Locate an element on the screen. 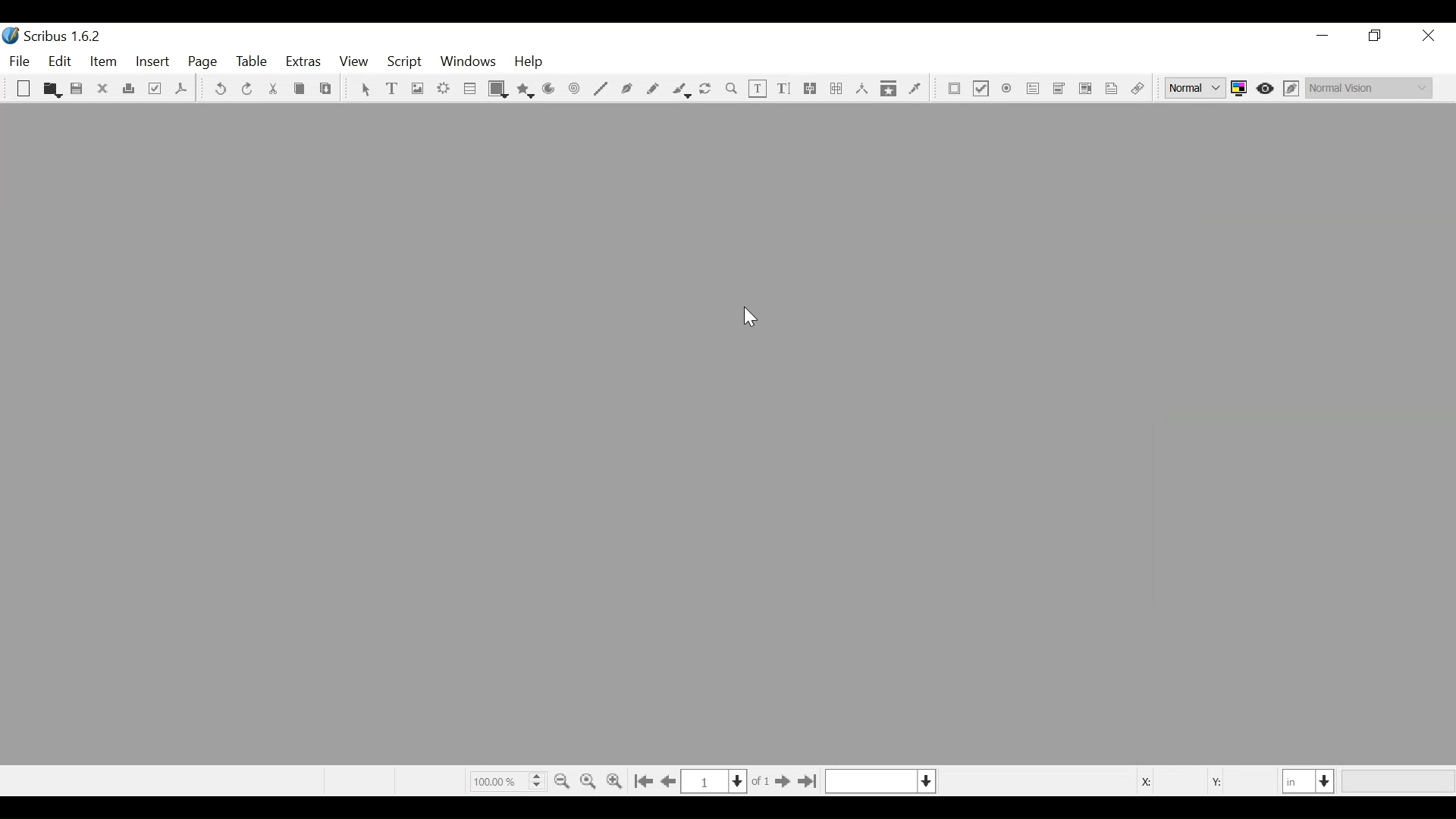 This screenshot has width=1456, height=819. Script is located at coordinates (406, 62).